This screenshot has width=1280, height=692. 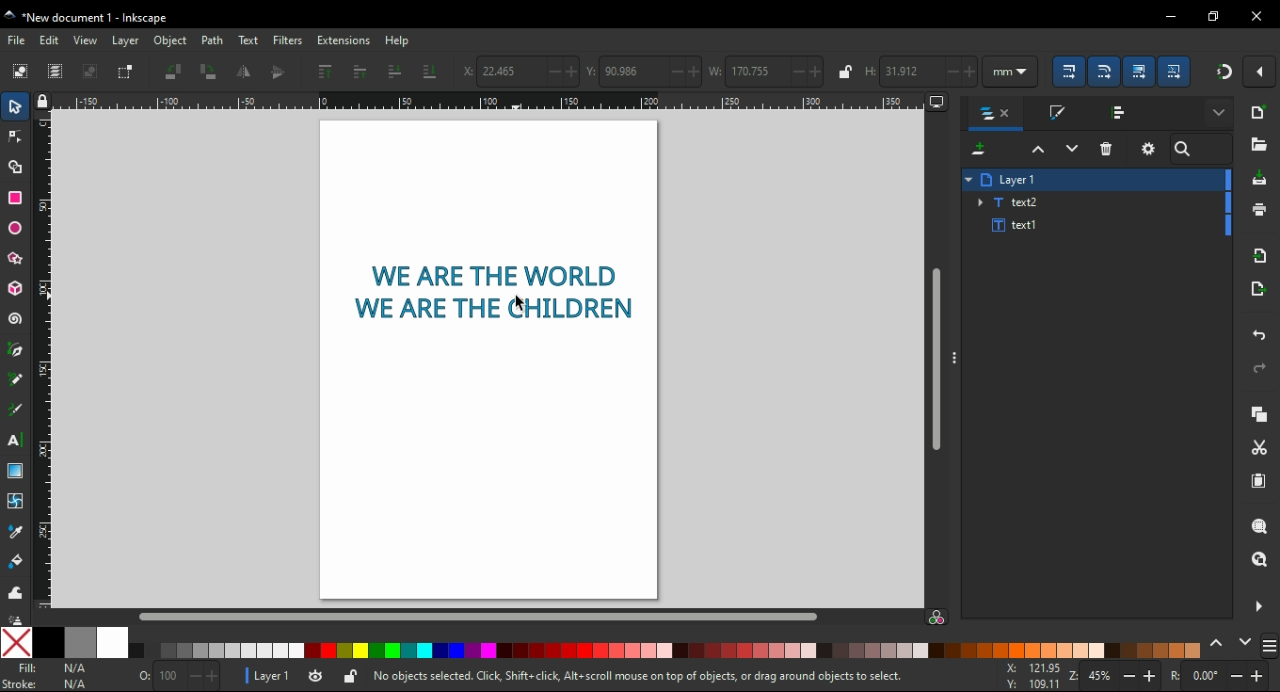 I want to click on move gradients along with the objects, so click(x=1141, y=71).